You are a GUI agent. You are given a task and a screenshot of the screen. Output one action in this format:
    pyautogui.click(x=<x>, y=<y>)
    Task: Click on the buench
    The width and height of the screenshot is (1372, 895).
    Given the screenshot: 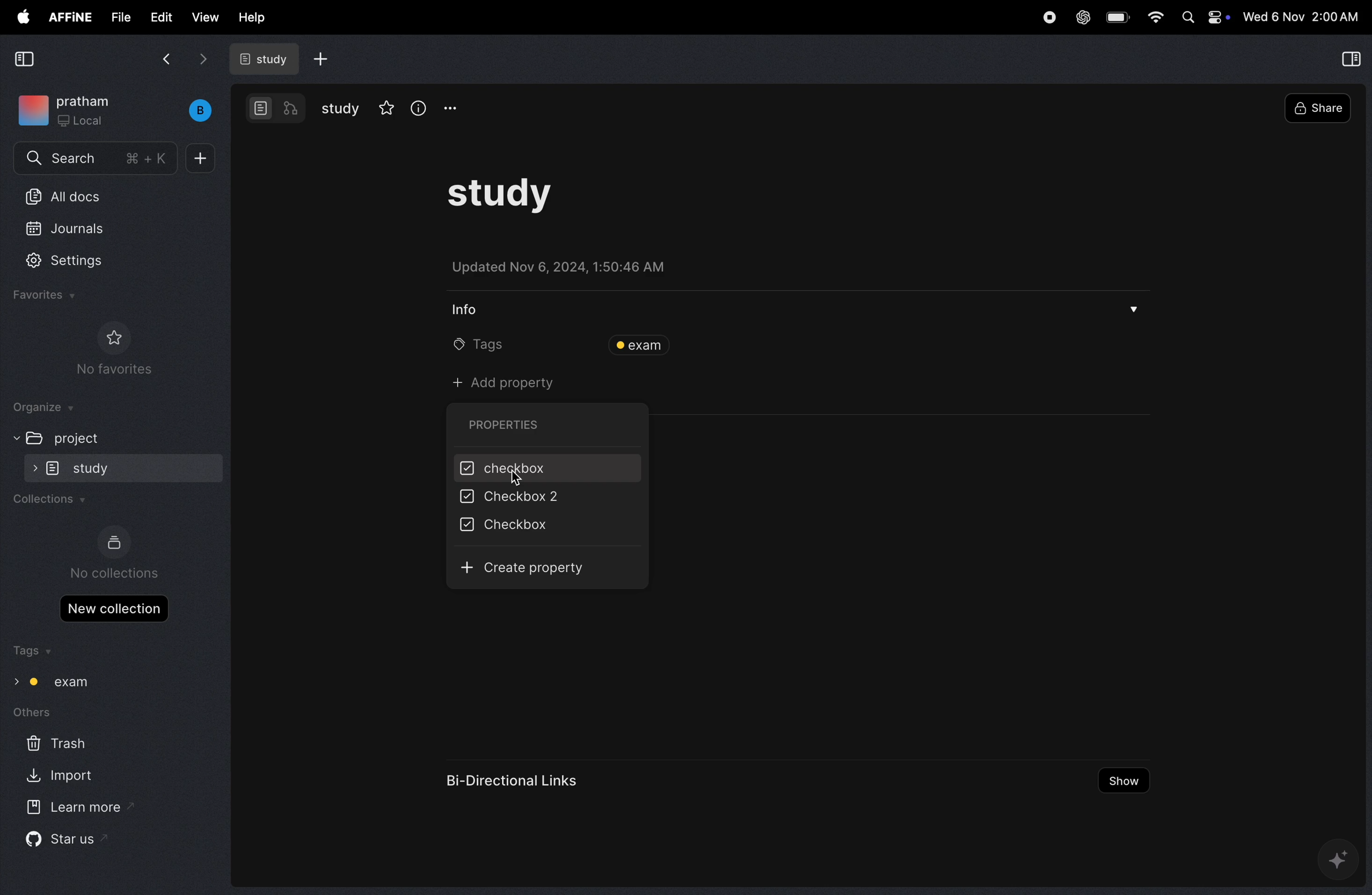 What is the action you would take?
    pyautogui.click(x=200, y=110)
    